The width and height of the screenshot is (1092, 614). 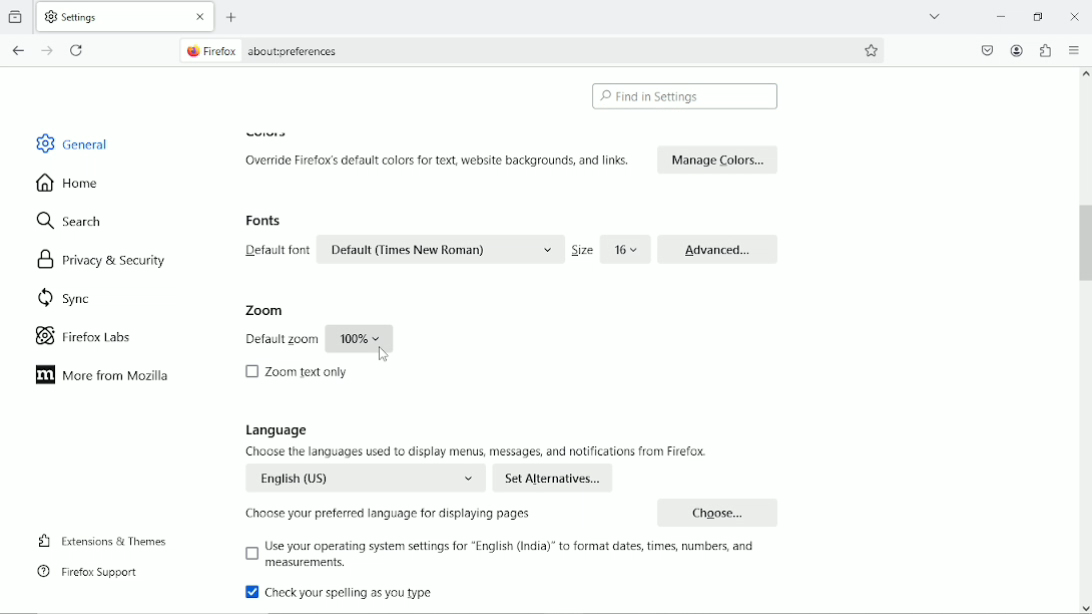 I want to click on ‘Override Firefox's default colors for text, website backgrounds, and links., so click(x=441, y=160).